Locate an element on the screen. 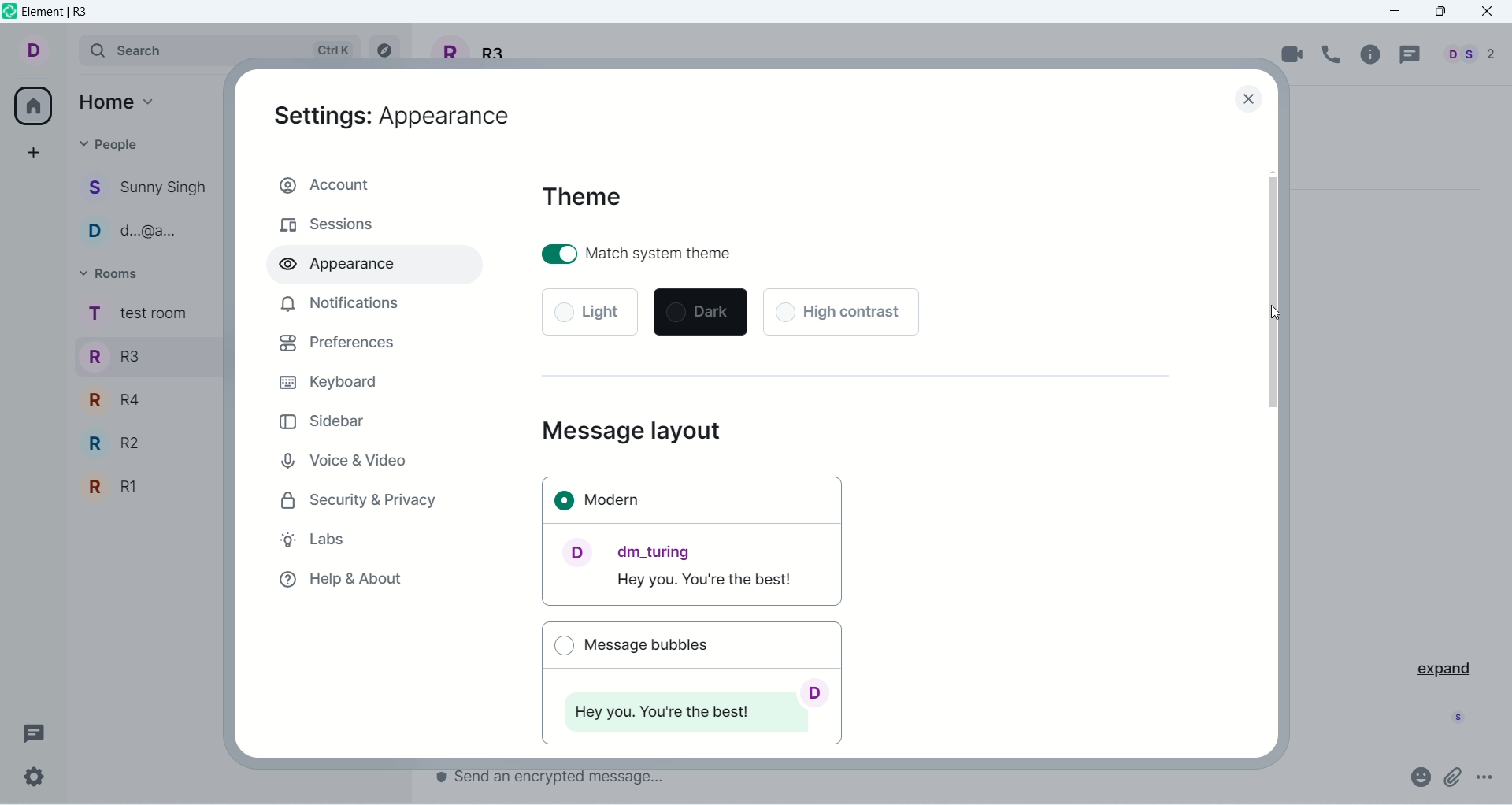 The image size is (1512, 805). R4 is located at coordinates (144, 398).